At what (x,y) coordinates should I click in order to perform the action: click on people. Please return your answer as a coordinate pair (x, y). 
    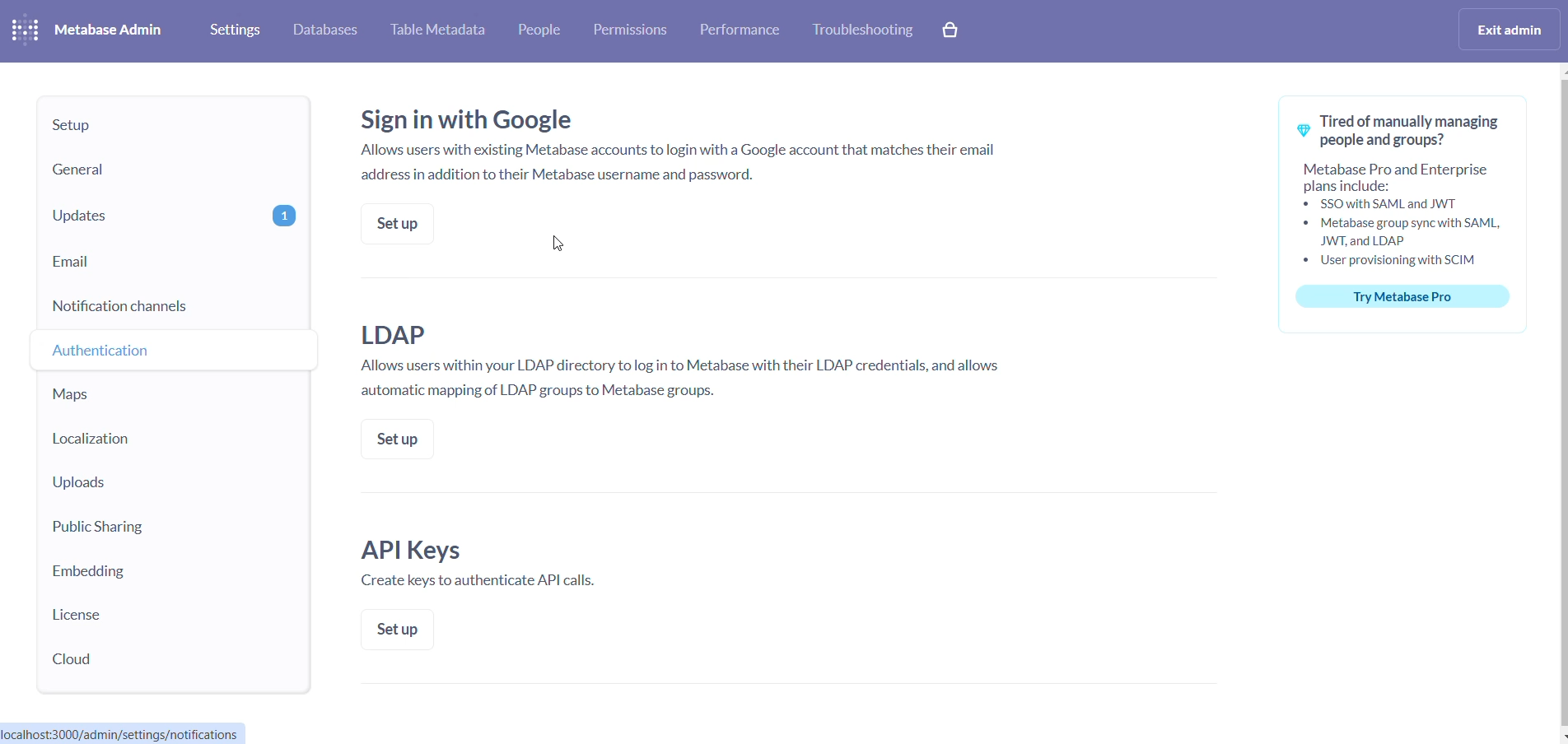
    Looking at the image, I should click on (544, 31).